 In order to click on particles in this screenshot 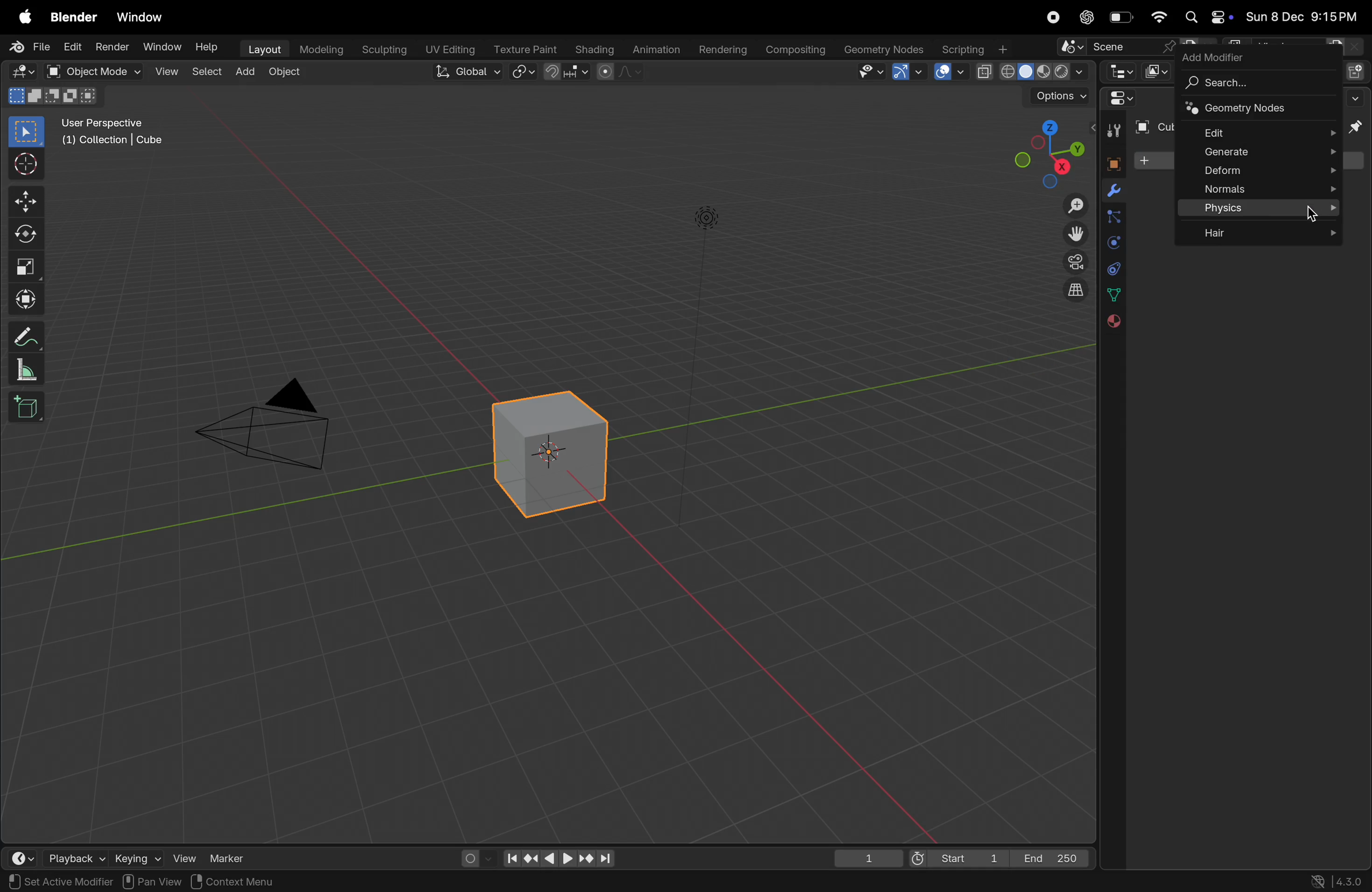, I will do `click(1113, 219)`.